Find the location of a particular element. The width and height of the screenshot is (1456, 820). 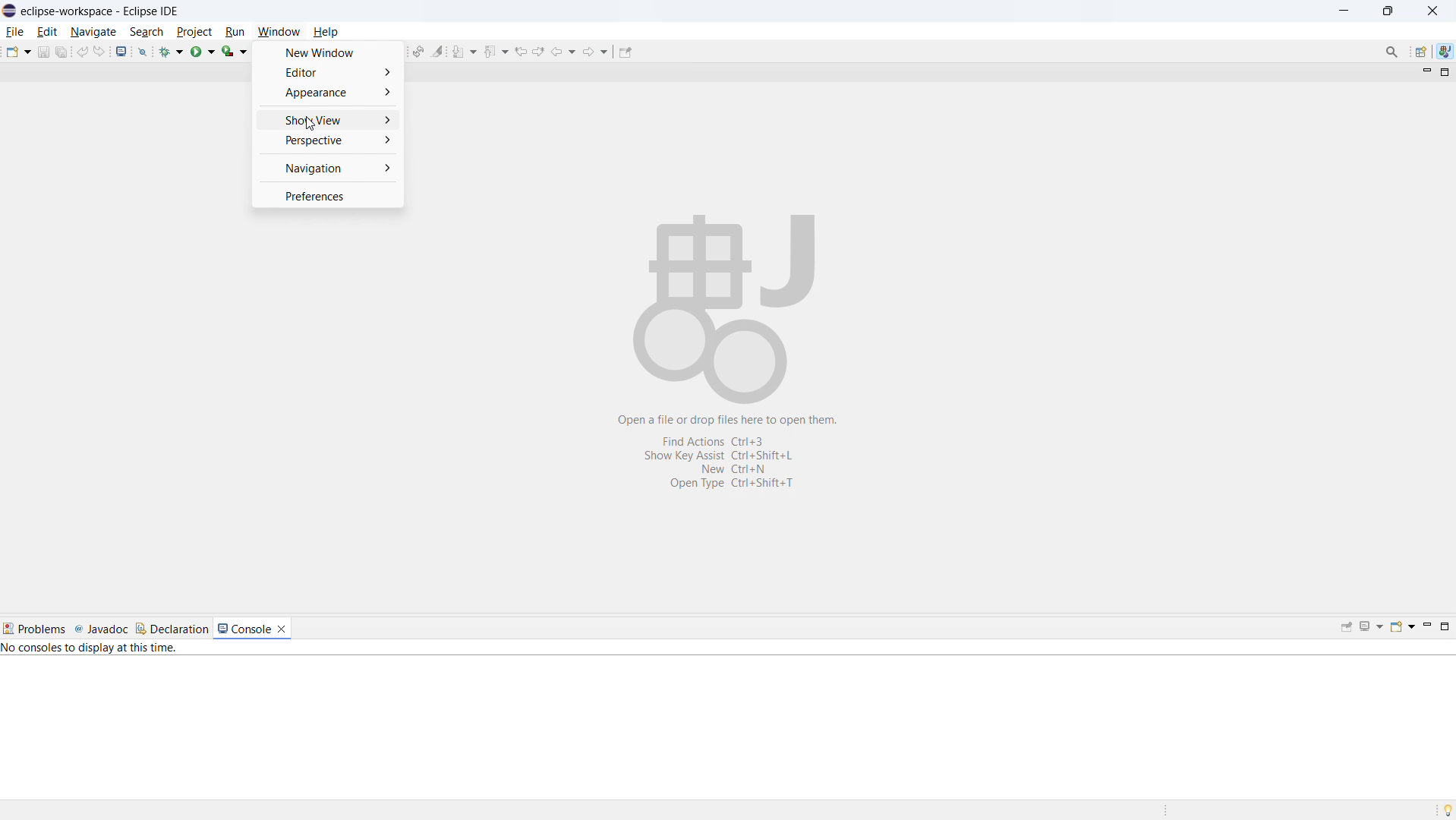

open console is located at coordinates (121, 51).